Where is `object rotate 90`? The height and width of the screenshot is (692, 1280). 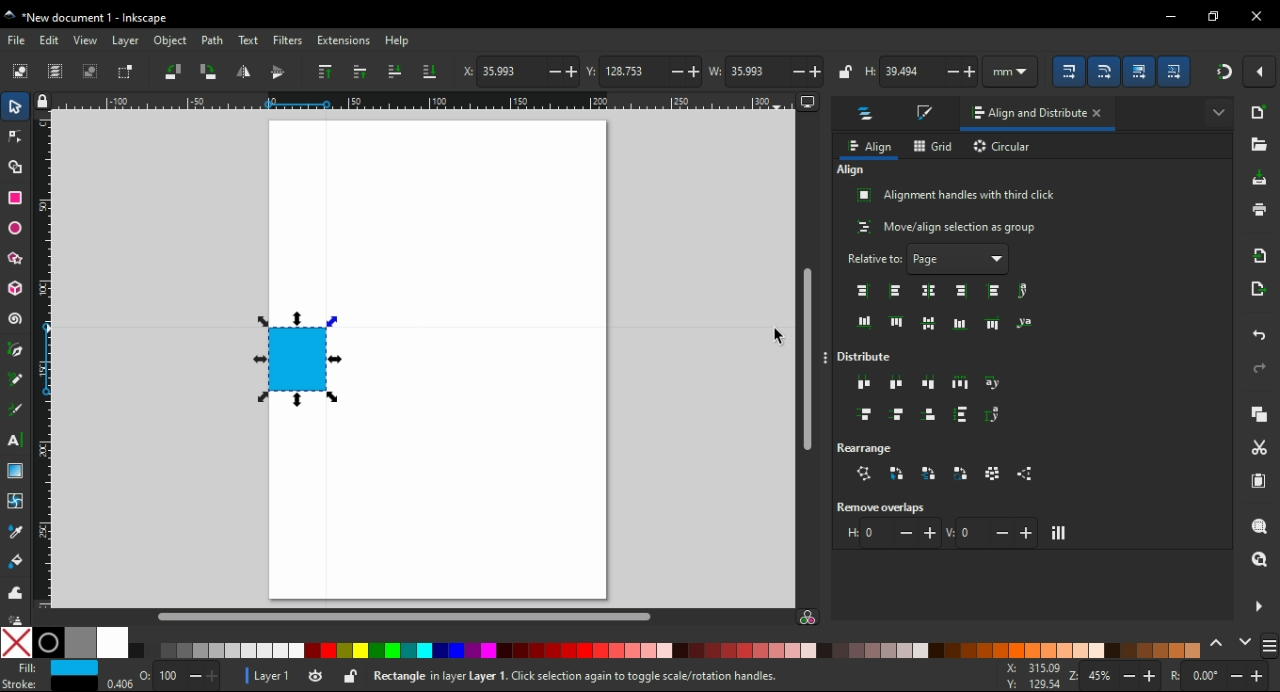
object rotate 90 is located at coordinates (211, 72).